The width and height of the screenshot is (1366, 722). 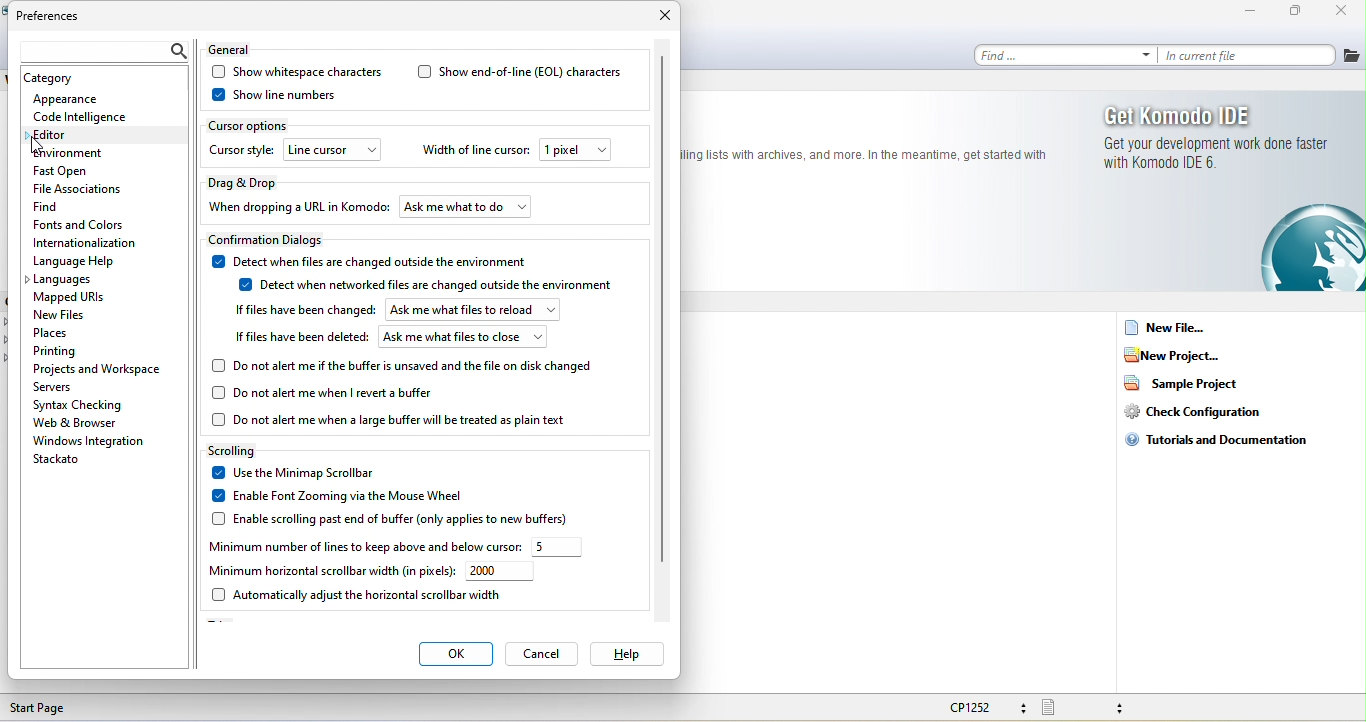 What do you see at coordinates (76, 297) in the screenshot?
I see `mapped urls` at bounding box center [76, 297].